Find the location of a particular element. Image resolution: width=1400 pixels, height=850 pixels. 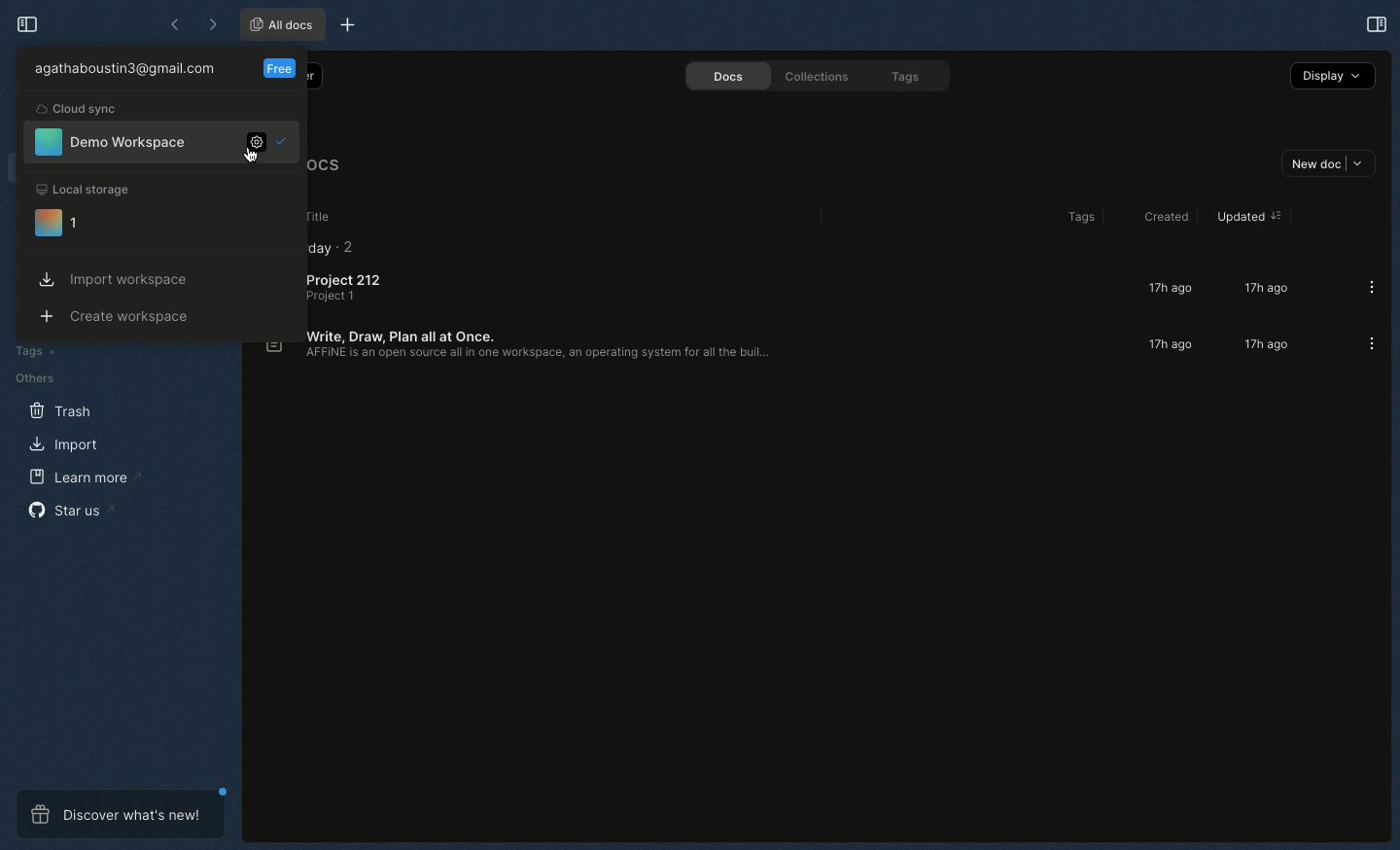

Open right panel is located at coordinates (1375, 24).